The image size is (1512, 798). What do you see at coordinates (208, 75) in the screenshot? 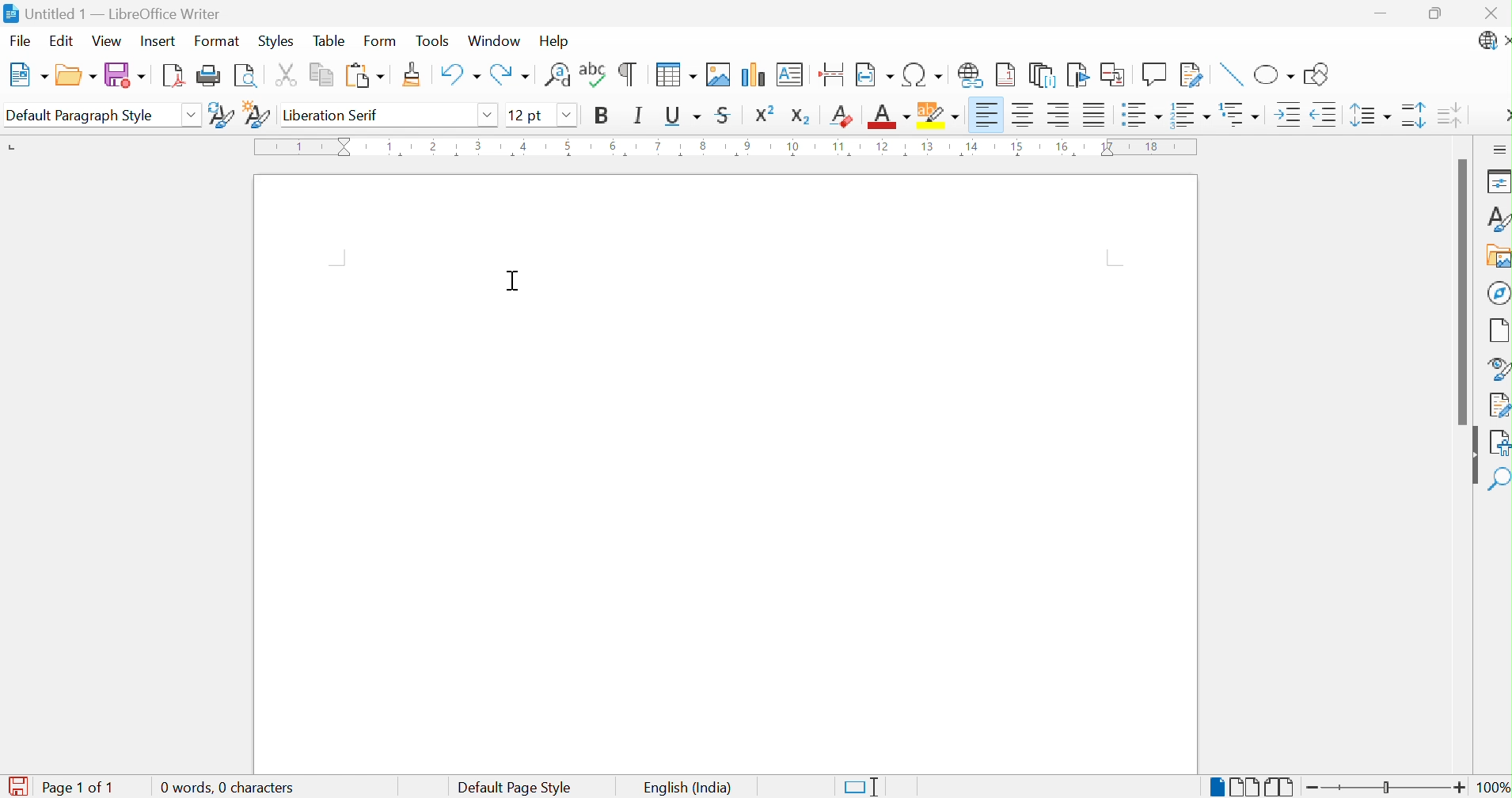
I see `Print` at bounding box center [208, 75].